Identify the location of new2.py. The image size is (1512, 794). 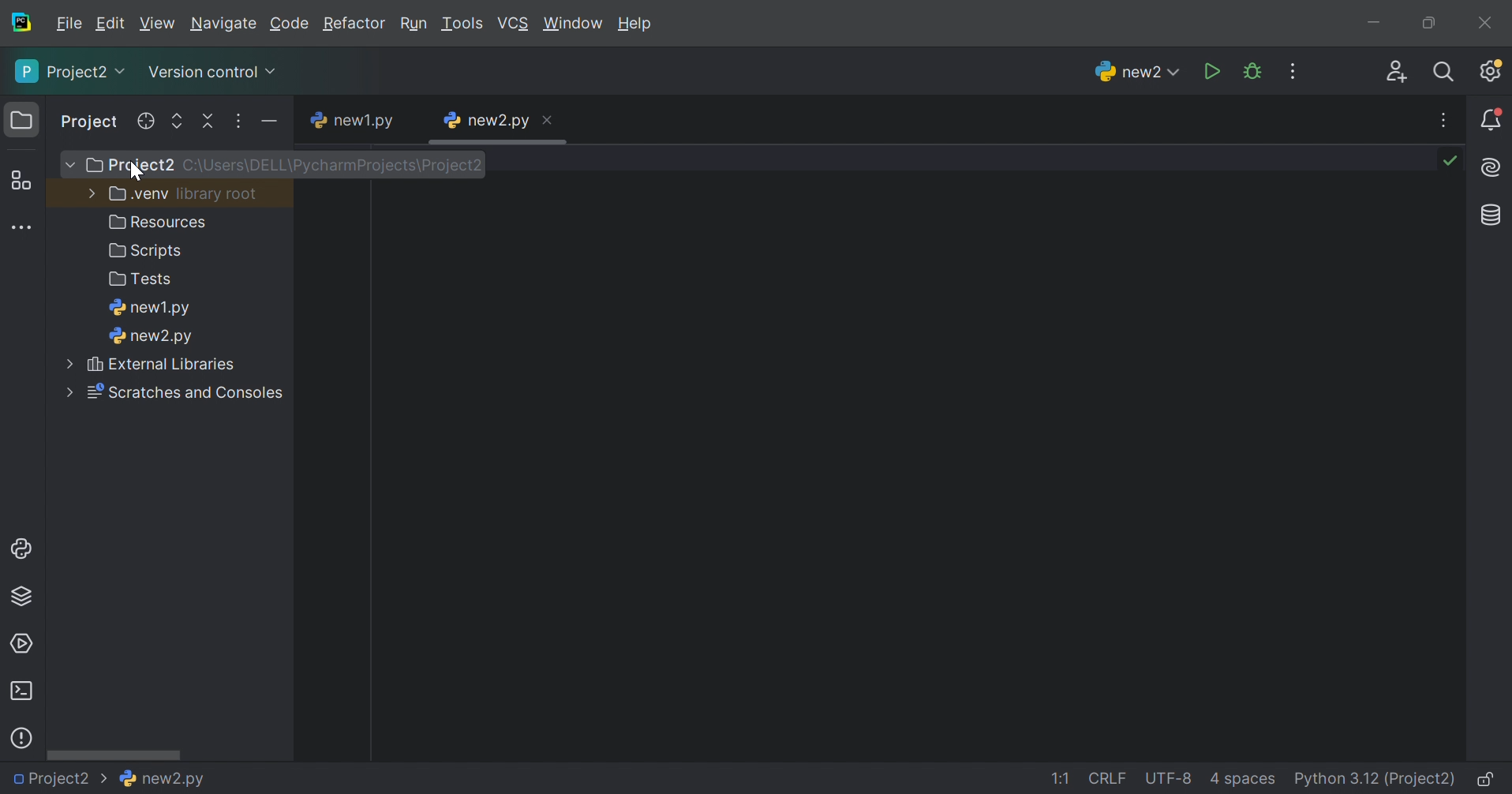
(152, 338).